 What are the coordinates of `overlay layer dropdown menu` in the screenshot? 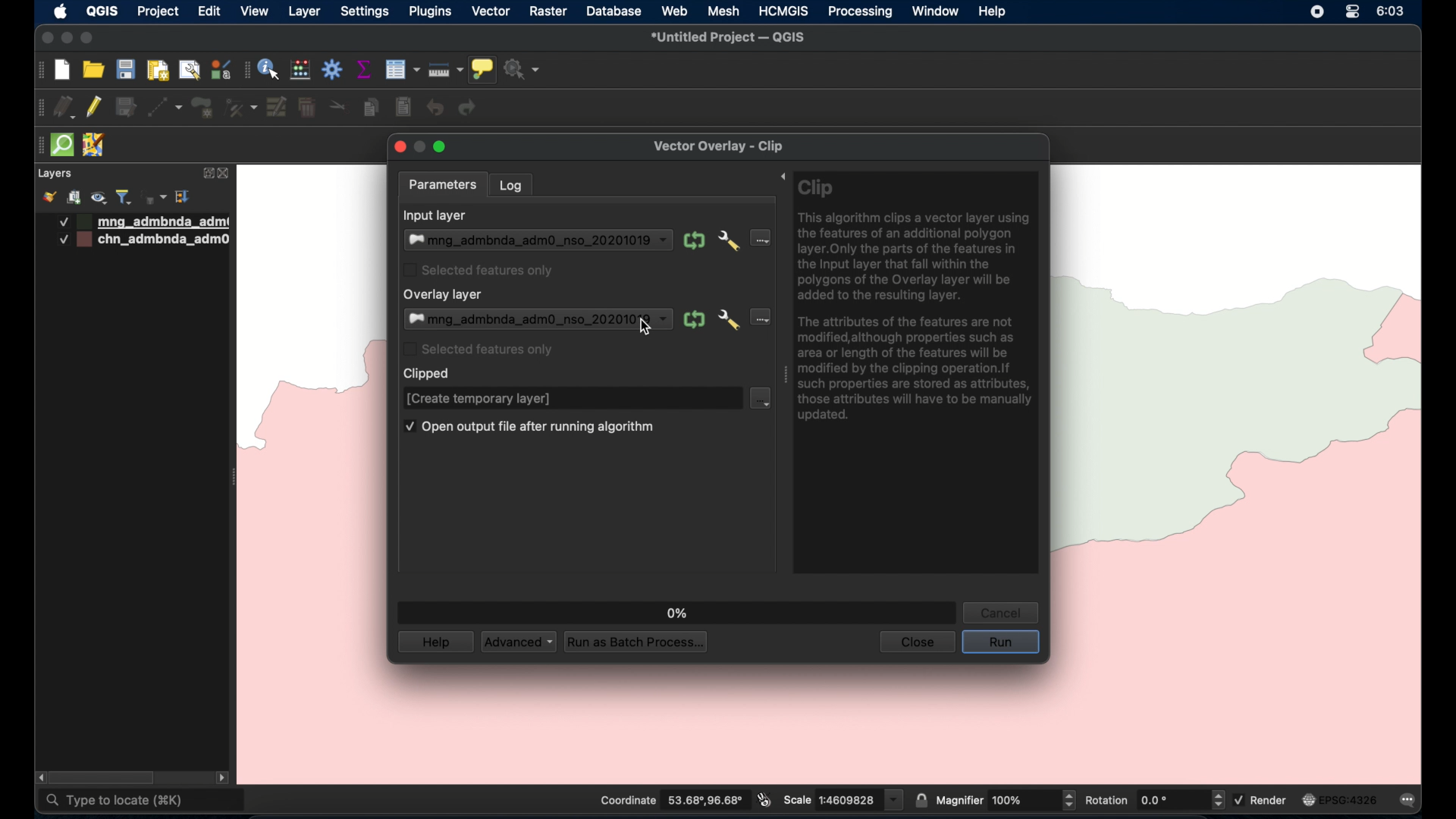 It's located at (761, 318).